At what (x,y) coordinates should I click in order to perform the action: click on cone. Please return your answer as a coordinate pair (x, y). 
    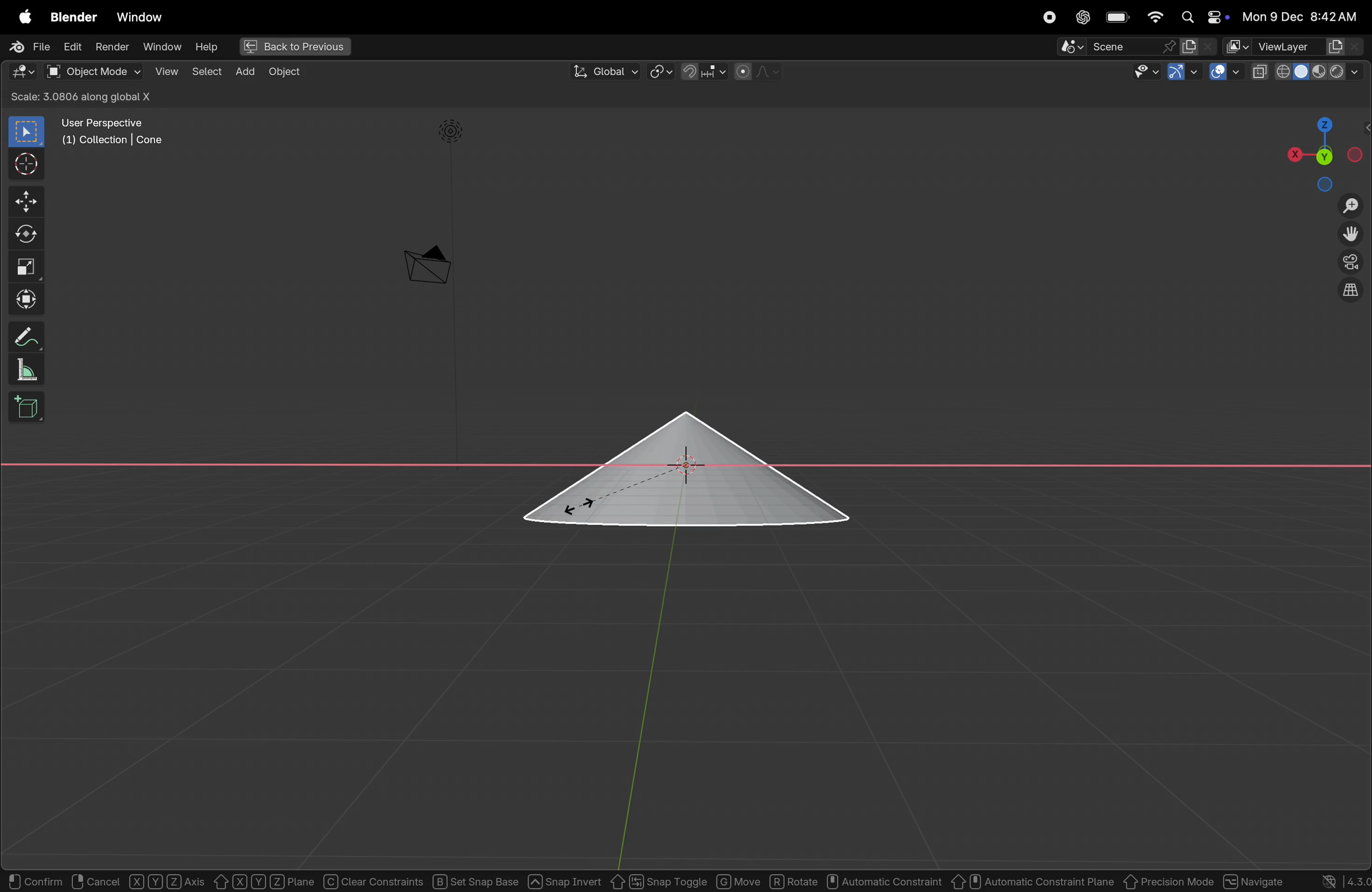
    Looking at the image, I should click on (687, 471).